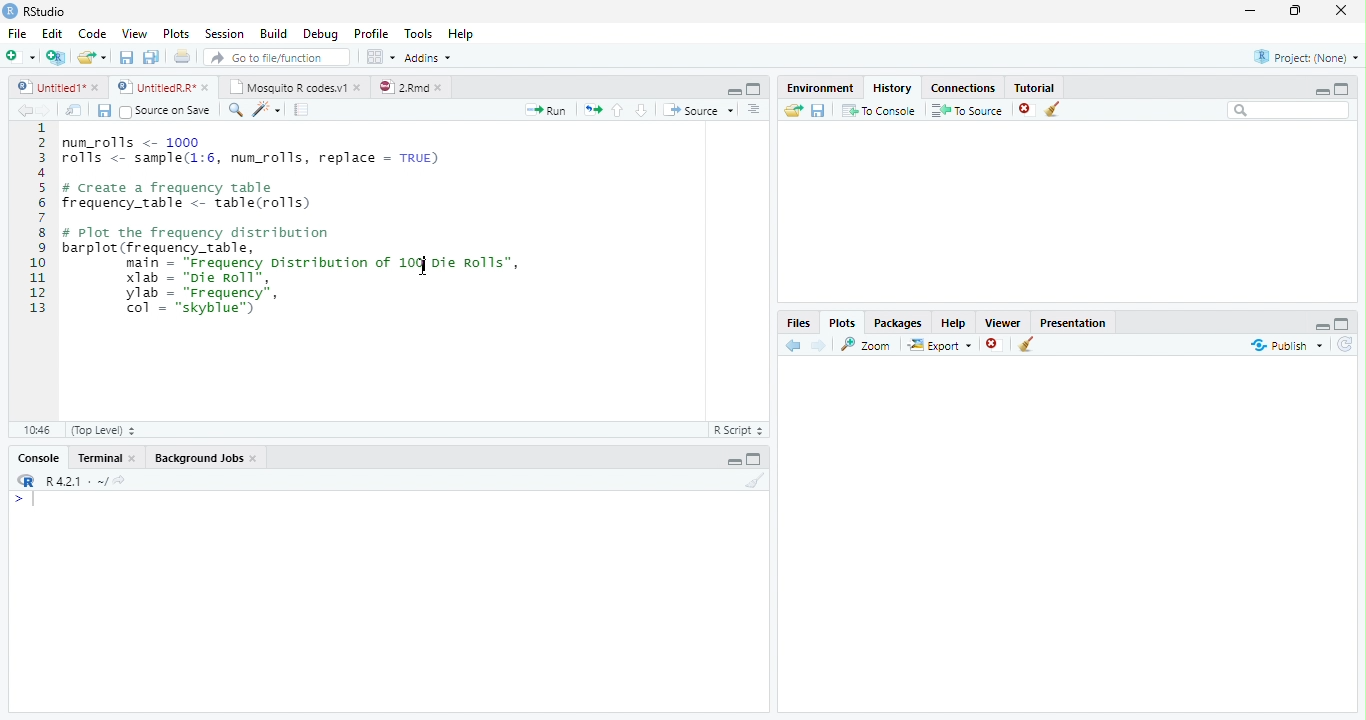  I want to click on Refresh List, so click(1344, 345).